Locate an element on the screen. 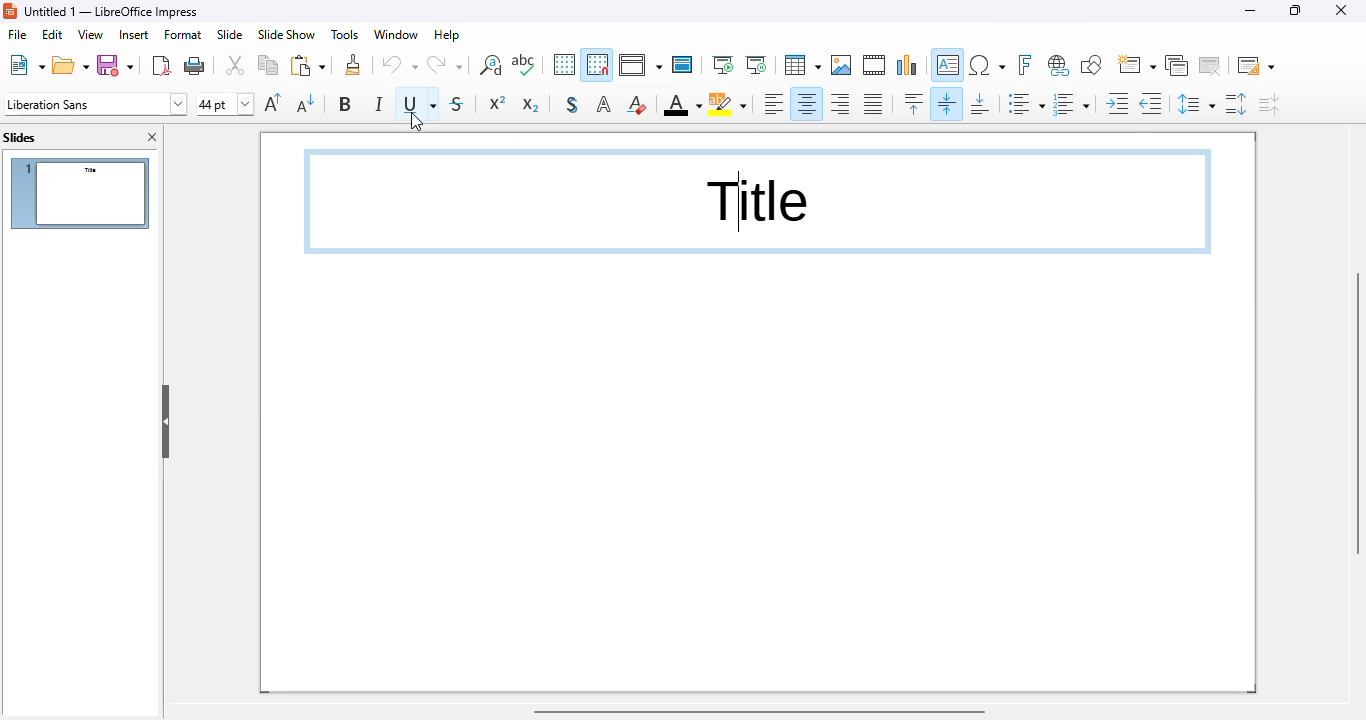  start from first slide is located at coordinates (723, 65).